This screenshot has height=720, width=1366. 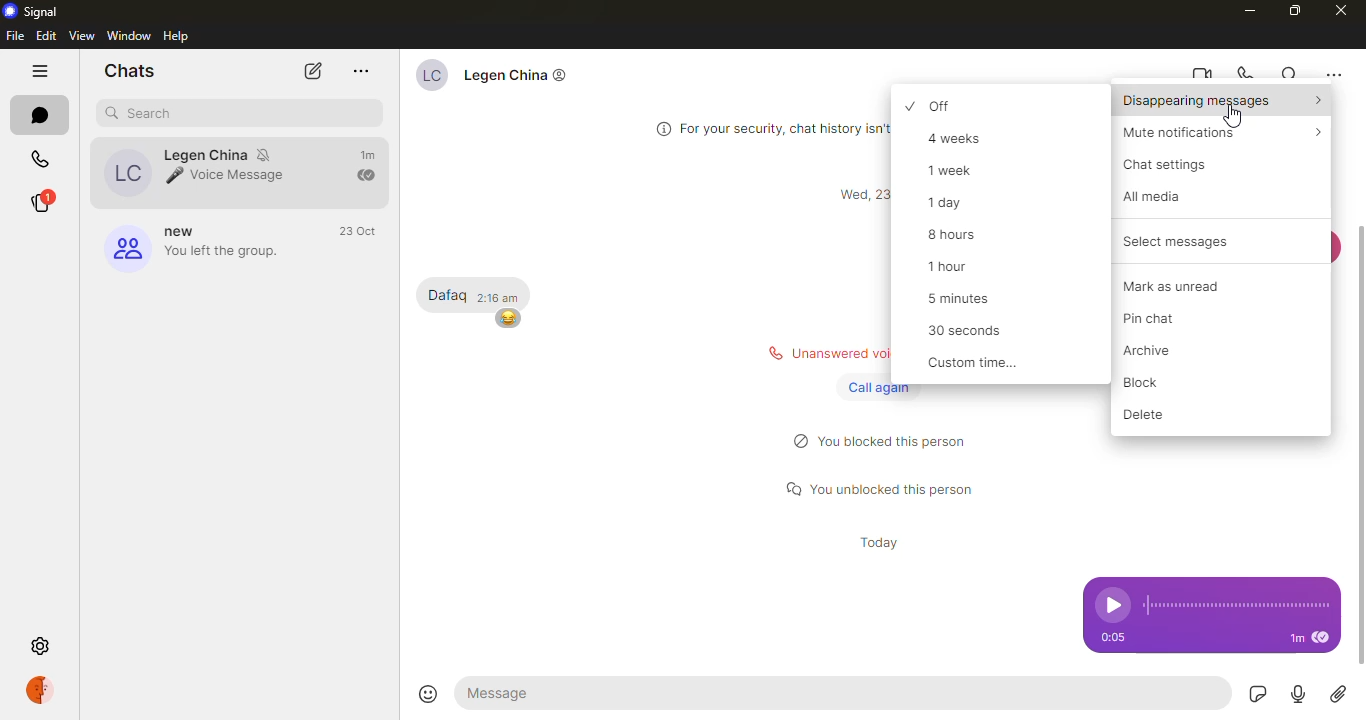 I want to click on scroll bar, so click(x=1365, y=445).